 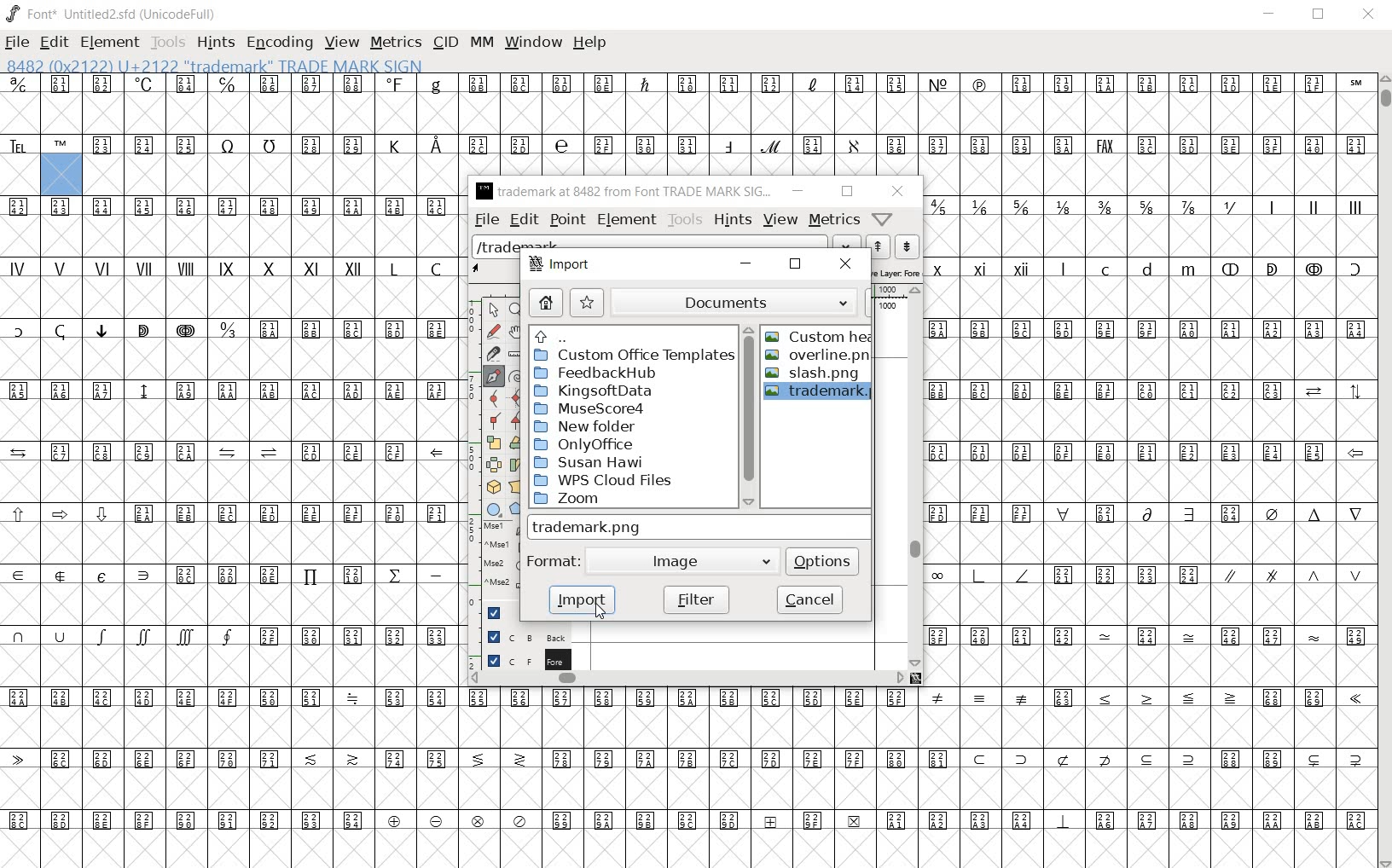 What do you see at coordinates (492, 375) in the screenshot?
I see `add a point, then drag out its control points` at bounding box center [492, 375].